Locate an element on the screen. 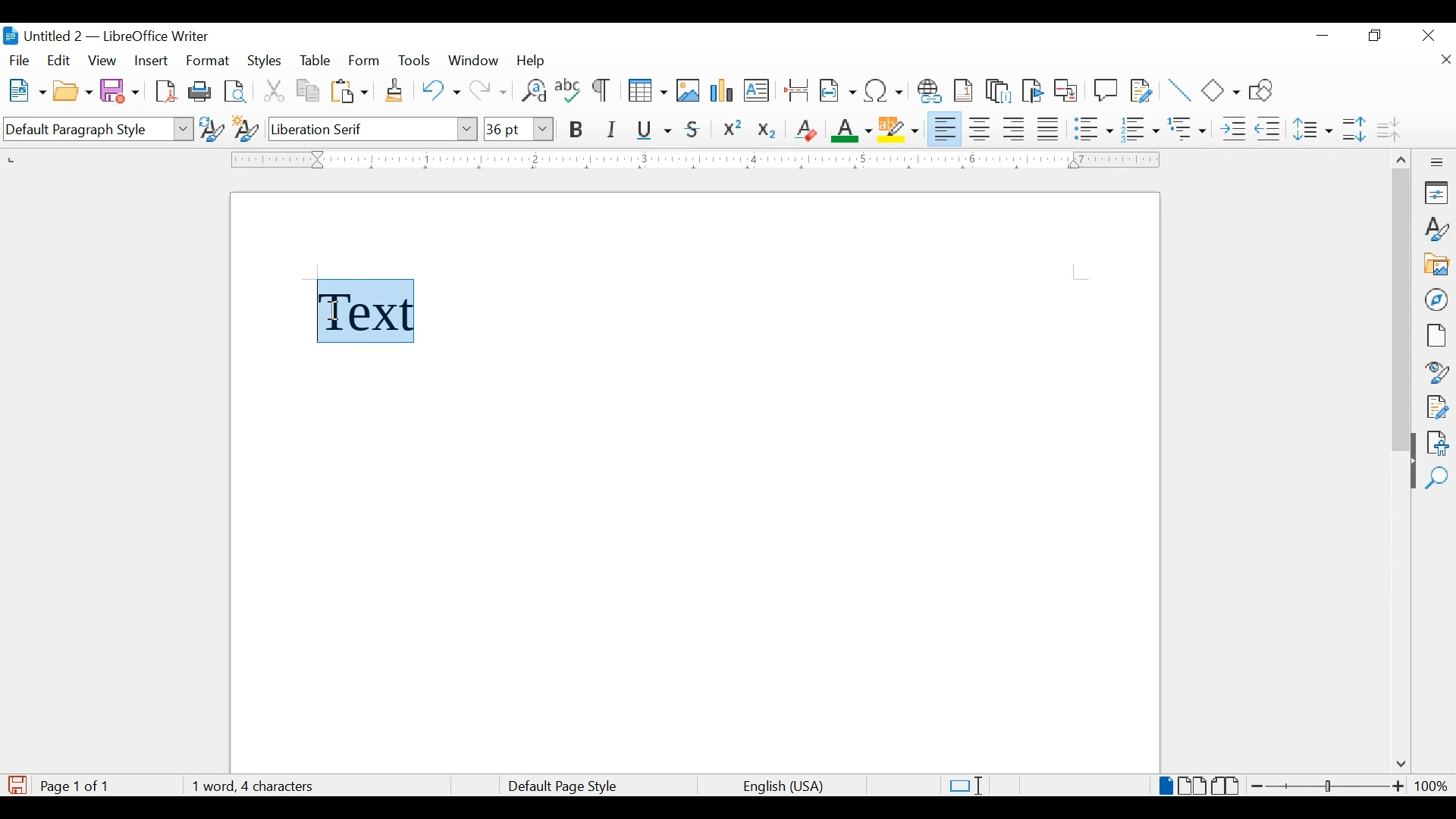 Image resolution: width=1456 pixels, height=819 pixels. edit is located at coordinates (60, 60).